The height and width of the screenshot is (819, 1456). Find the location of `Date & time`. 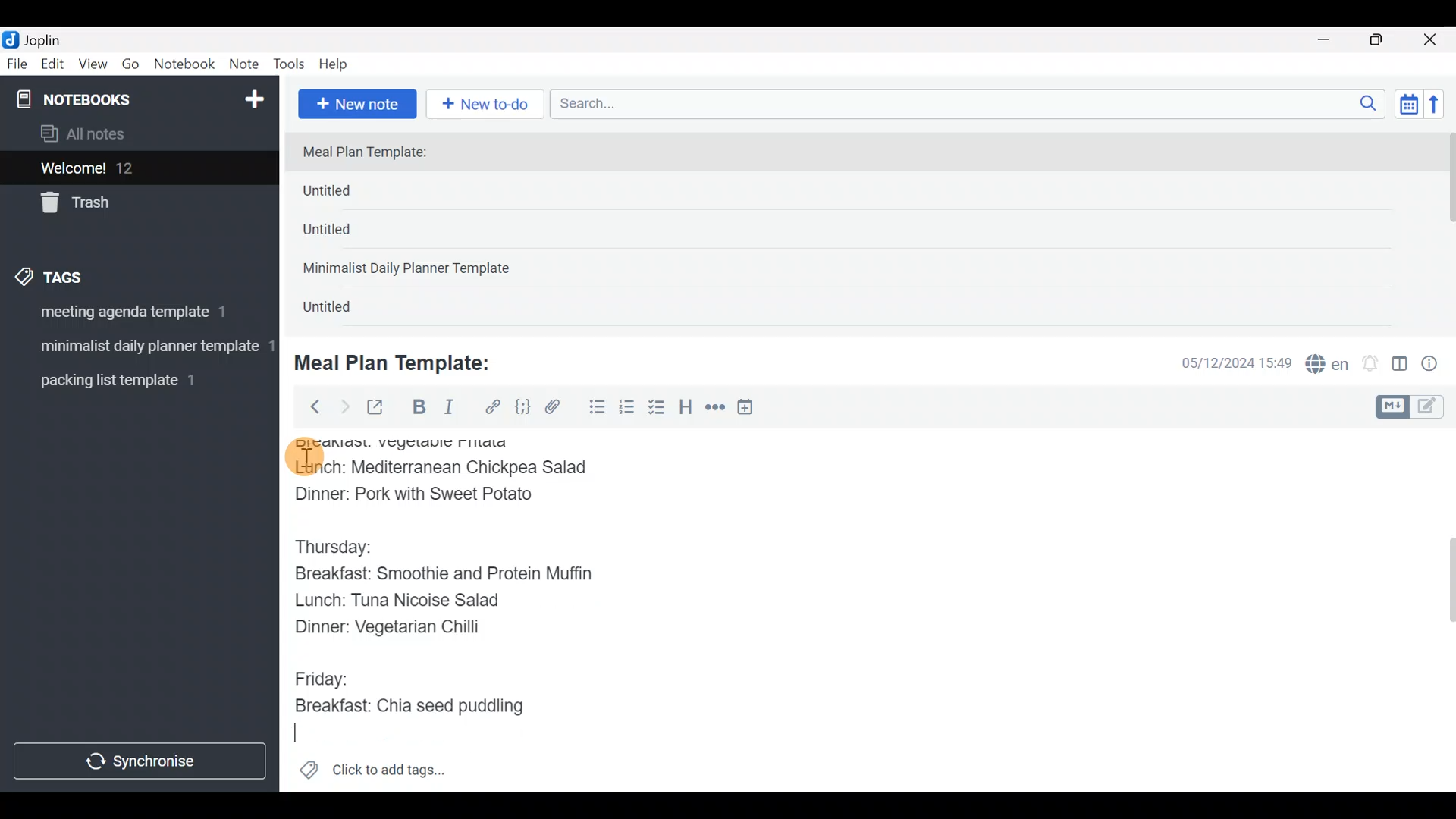

Date & time is located at coordinates (1225, 362).